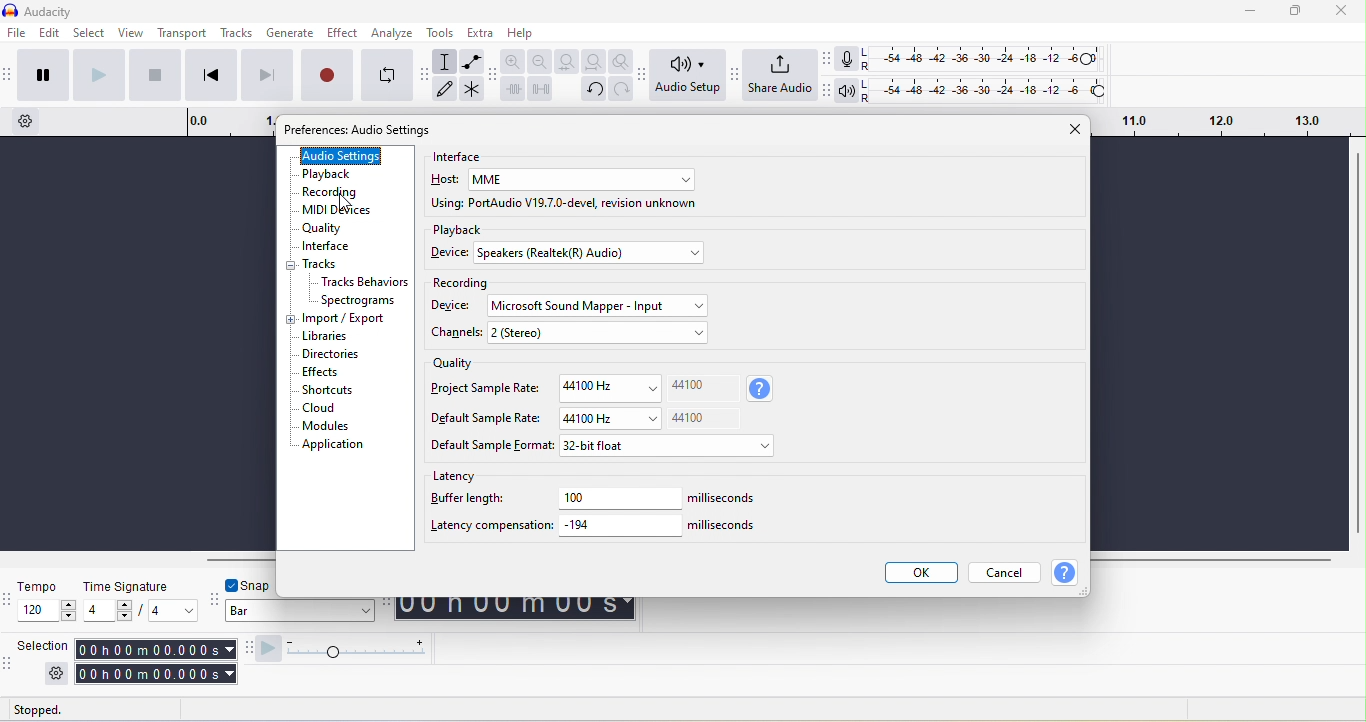 The height and width of the screenshot is (722, 1366). Describe the element at coordinates (343, 34) in the screenshot. I see `effect` at that location.